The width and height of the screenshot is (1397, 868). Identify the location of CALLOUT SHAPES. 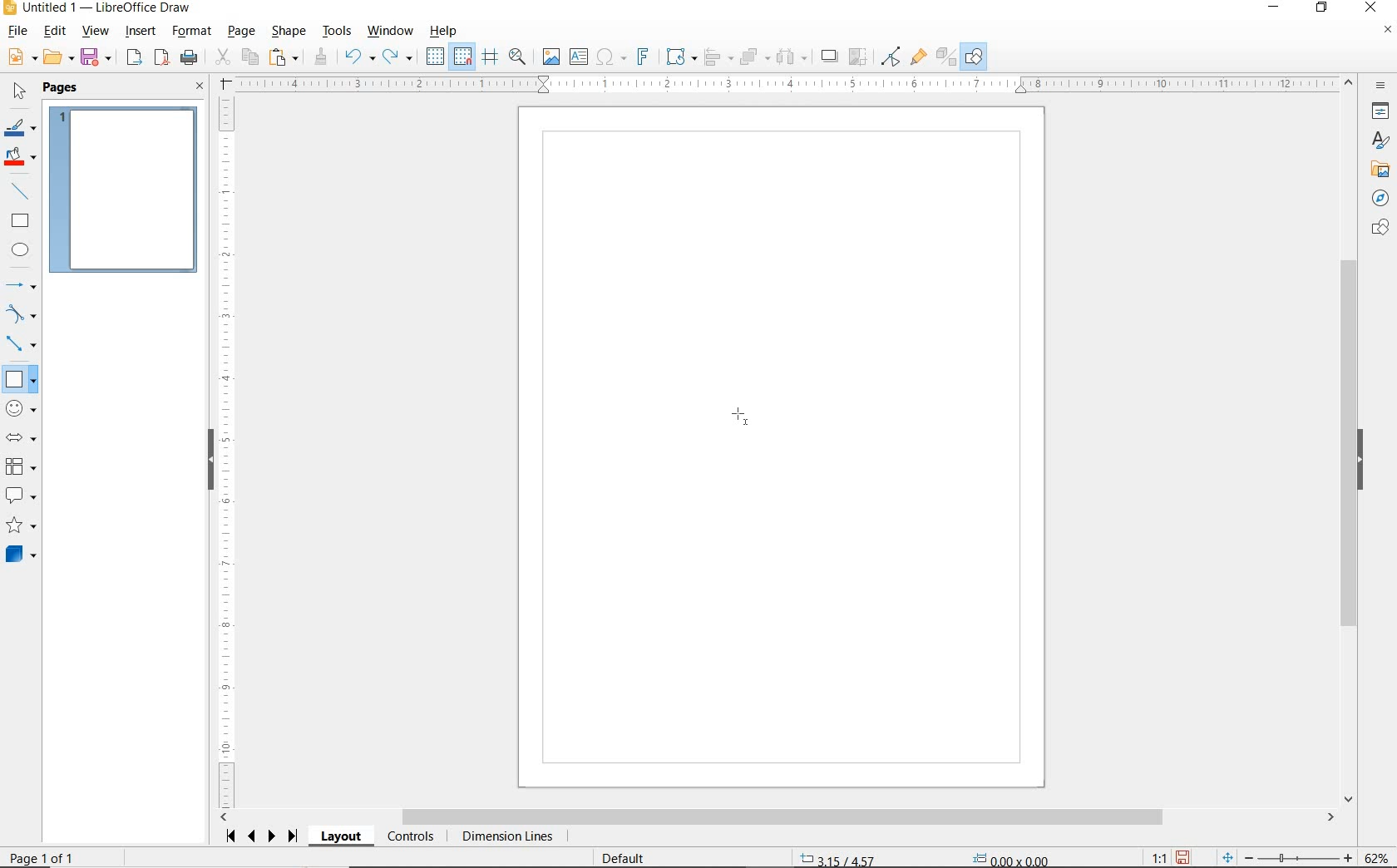
(22, 496).